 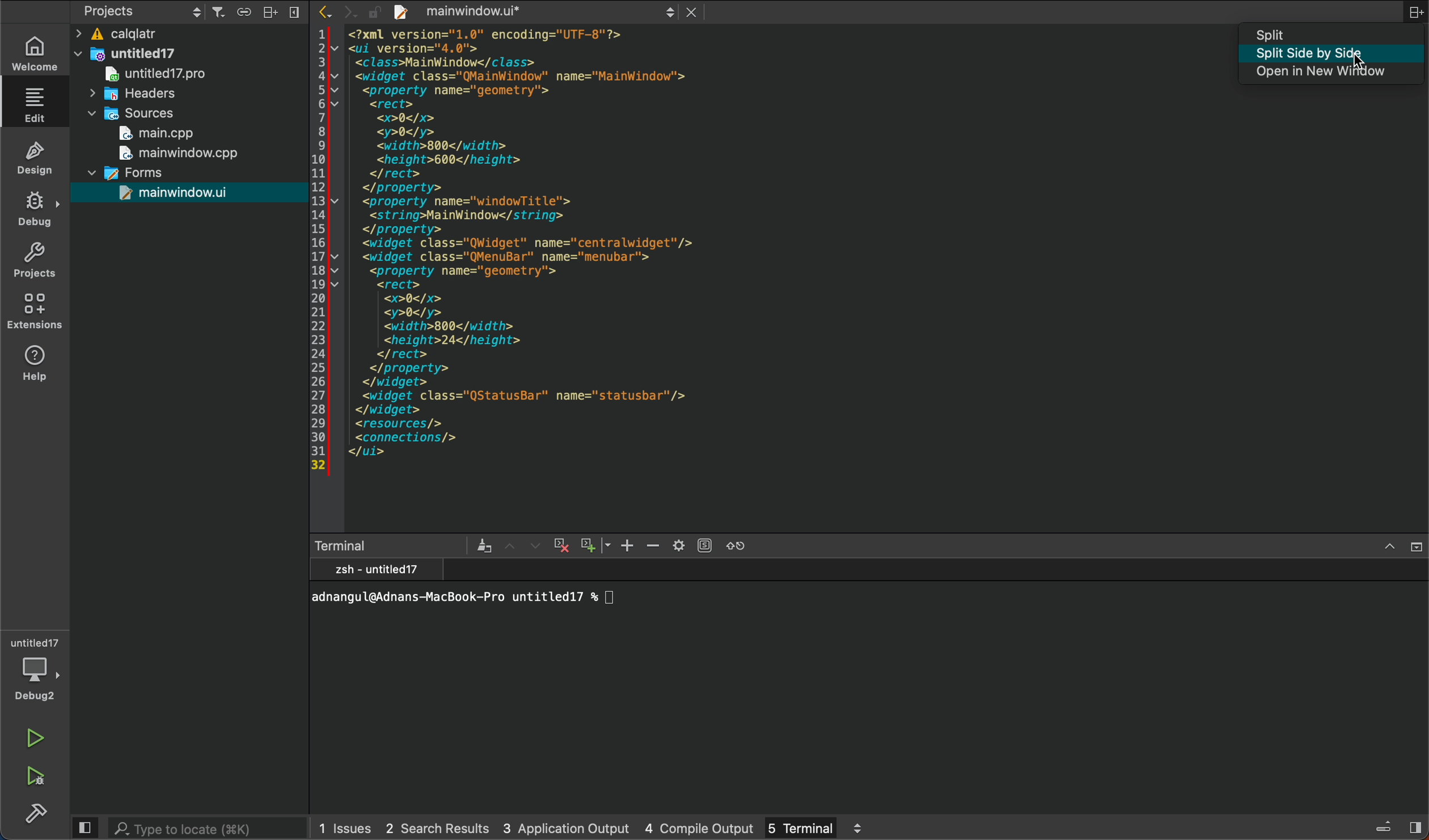 I want to click on close, so click(x=1415, y=548).